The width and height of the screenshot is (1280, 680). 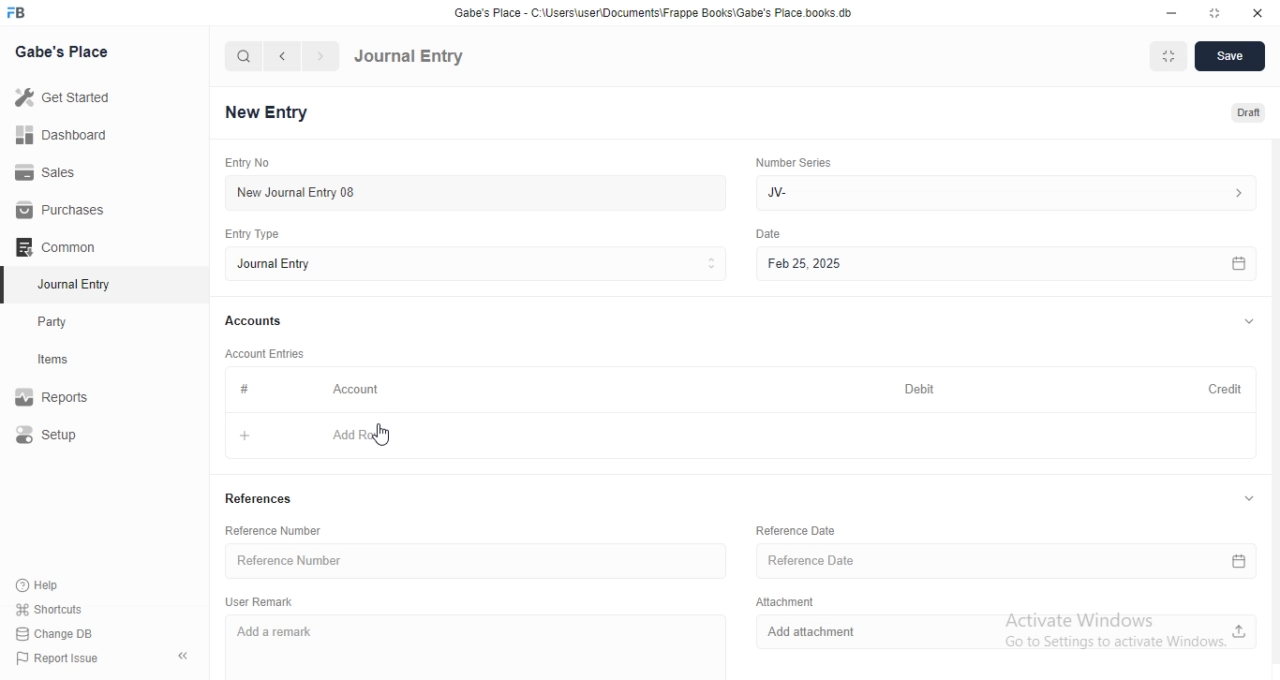 What do you see at coordinates (267, 354) in the screenshot?
I see `Account Entries` at bounding box center [267, 354].